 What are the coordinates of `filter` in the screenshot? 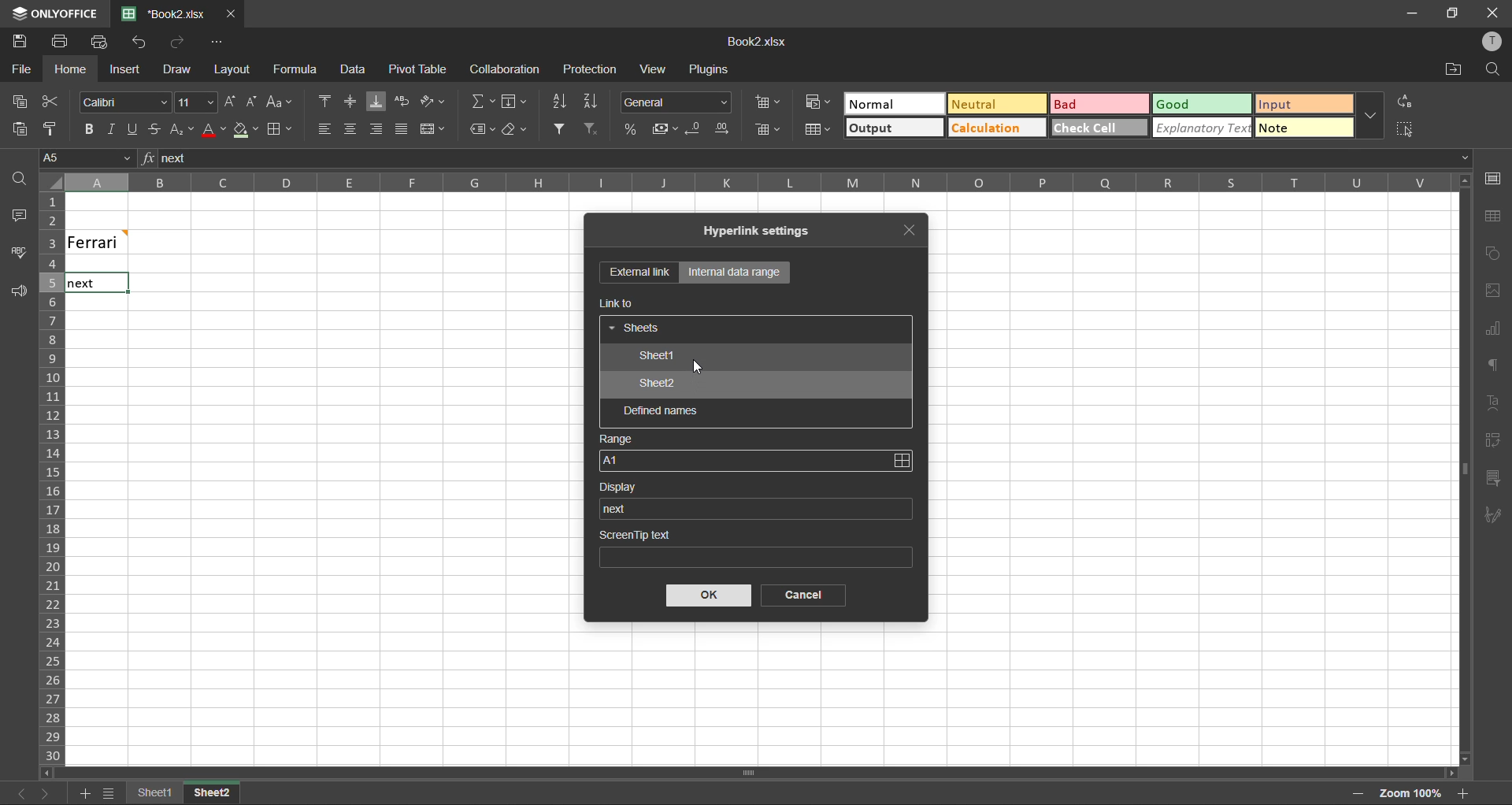 It's located at (559, 127).